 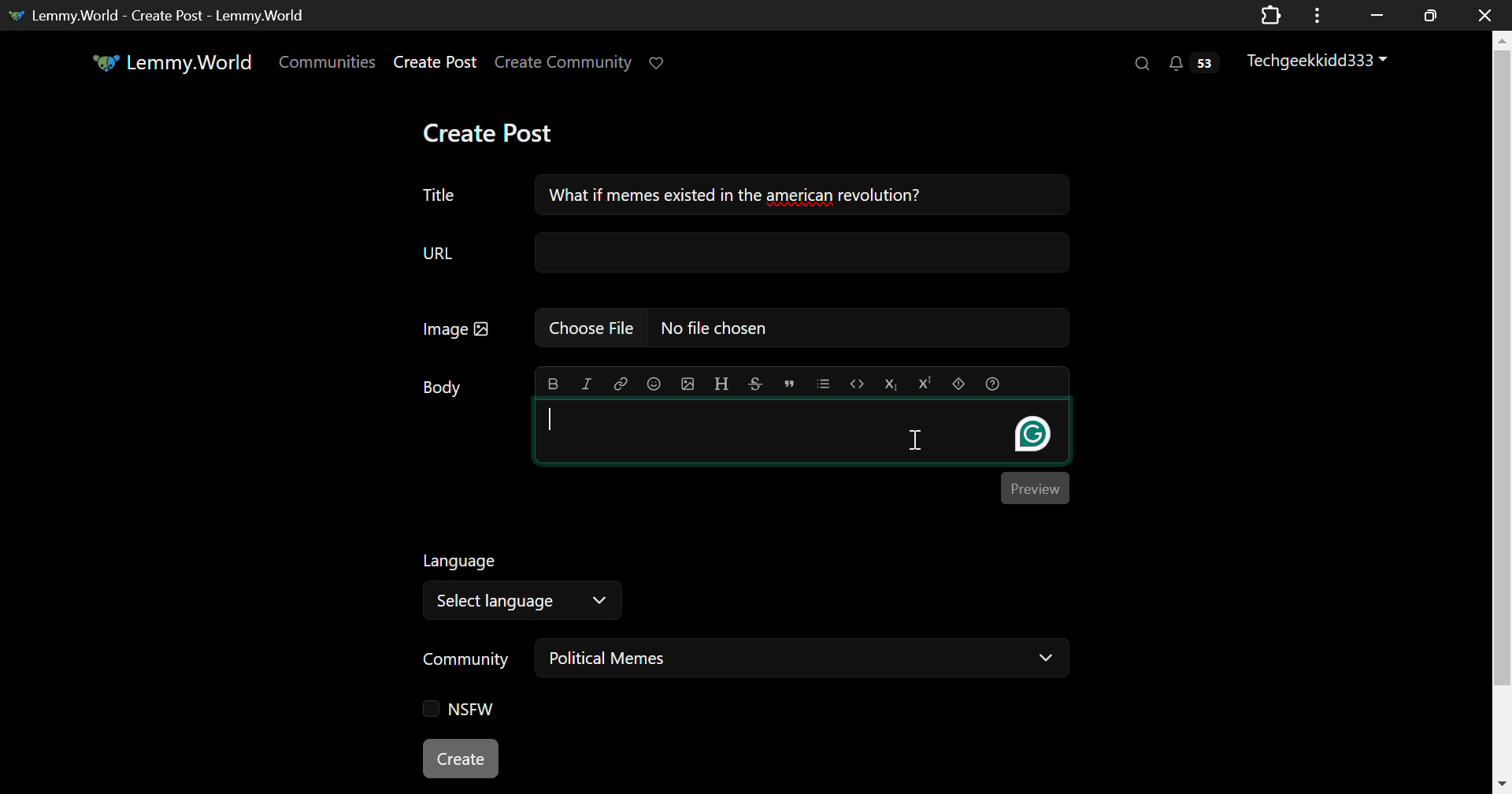 I want to click on Close window, so click(x=1487, y=14).